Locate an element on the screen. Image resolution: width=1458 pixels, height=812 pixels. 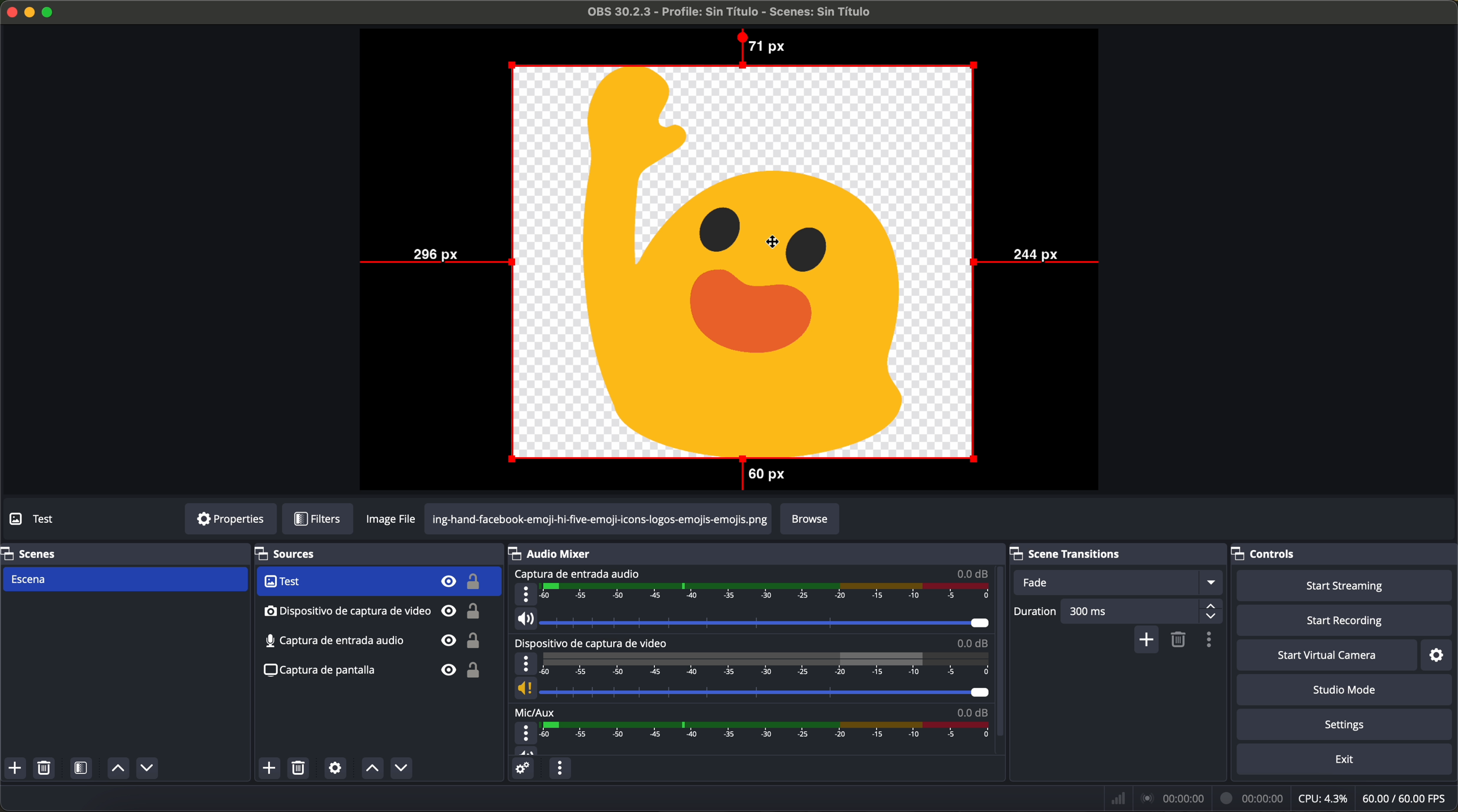
image moved to the center is located at coordinates (744, 260).